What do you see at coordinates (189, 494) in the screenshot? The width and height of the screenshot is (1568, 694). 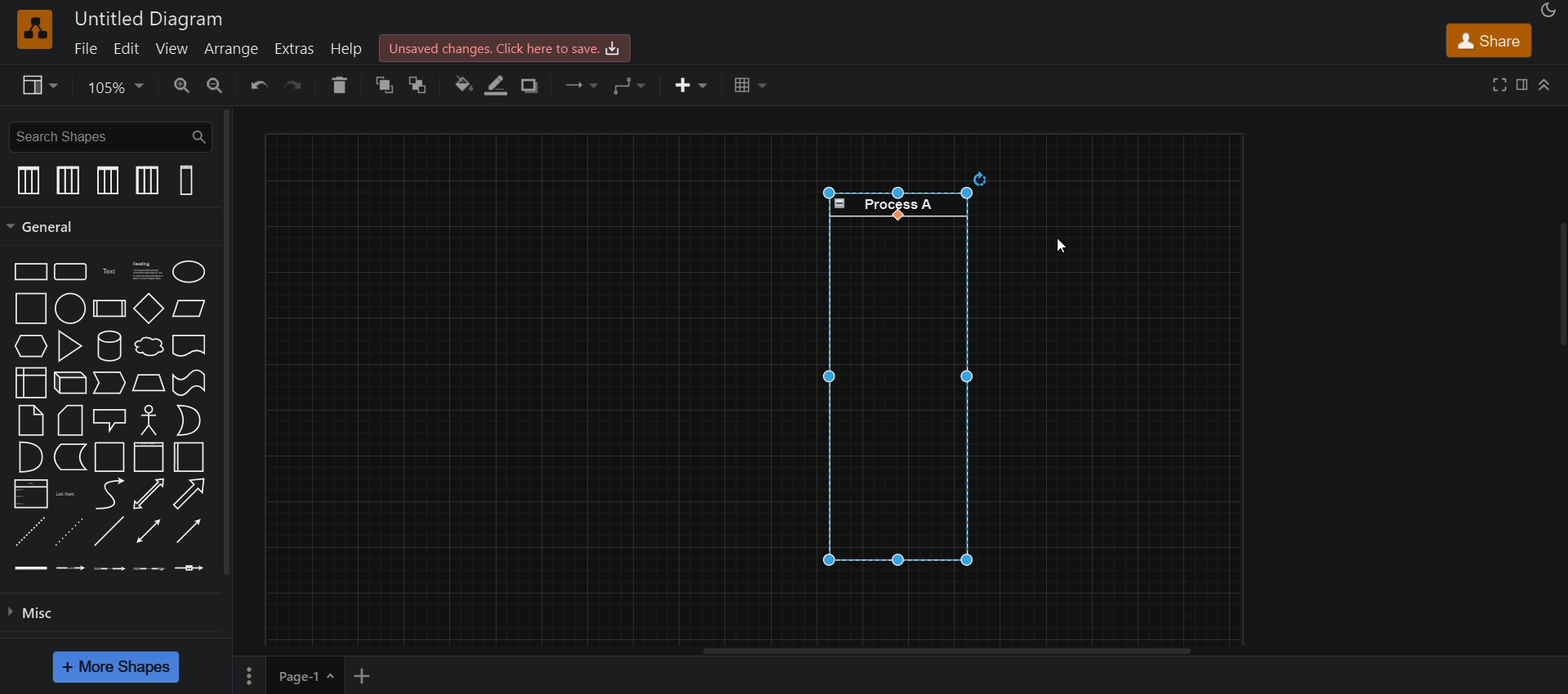 I see `arrow` at bounding box center [189, 494].